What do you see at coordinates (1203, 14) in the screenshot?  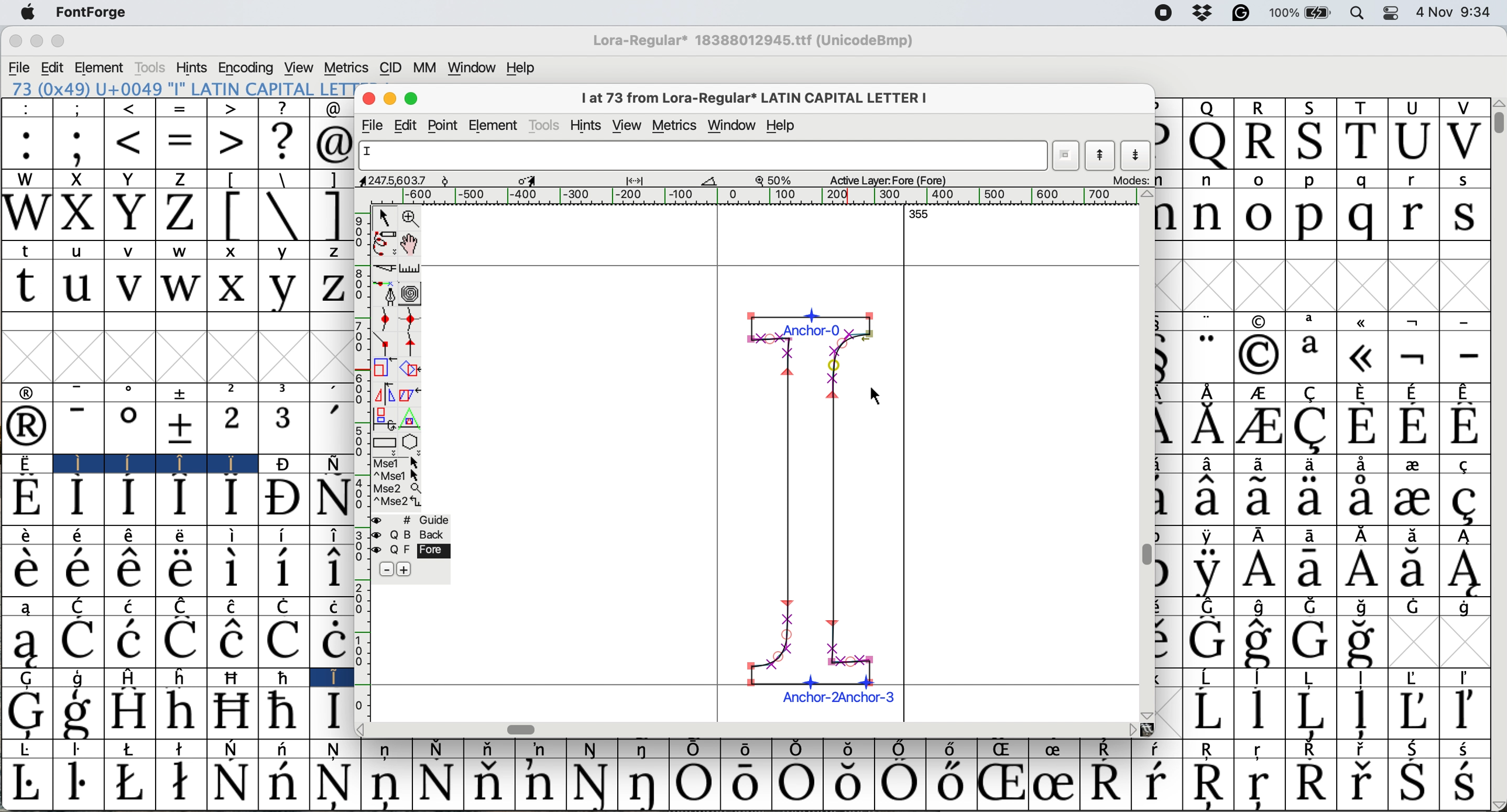 I see `drop box` at bounding box center [1203, 14].